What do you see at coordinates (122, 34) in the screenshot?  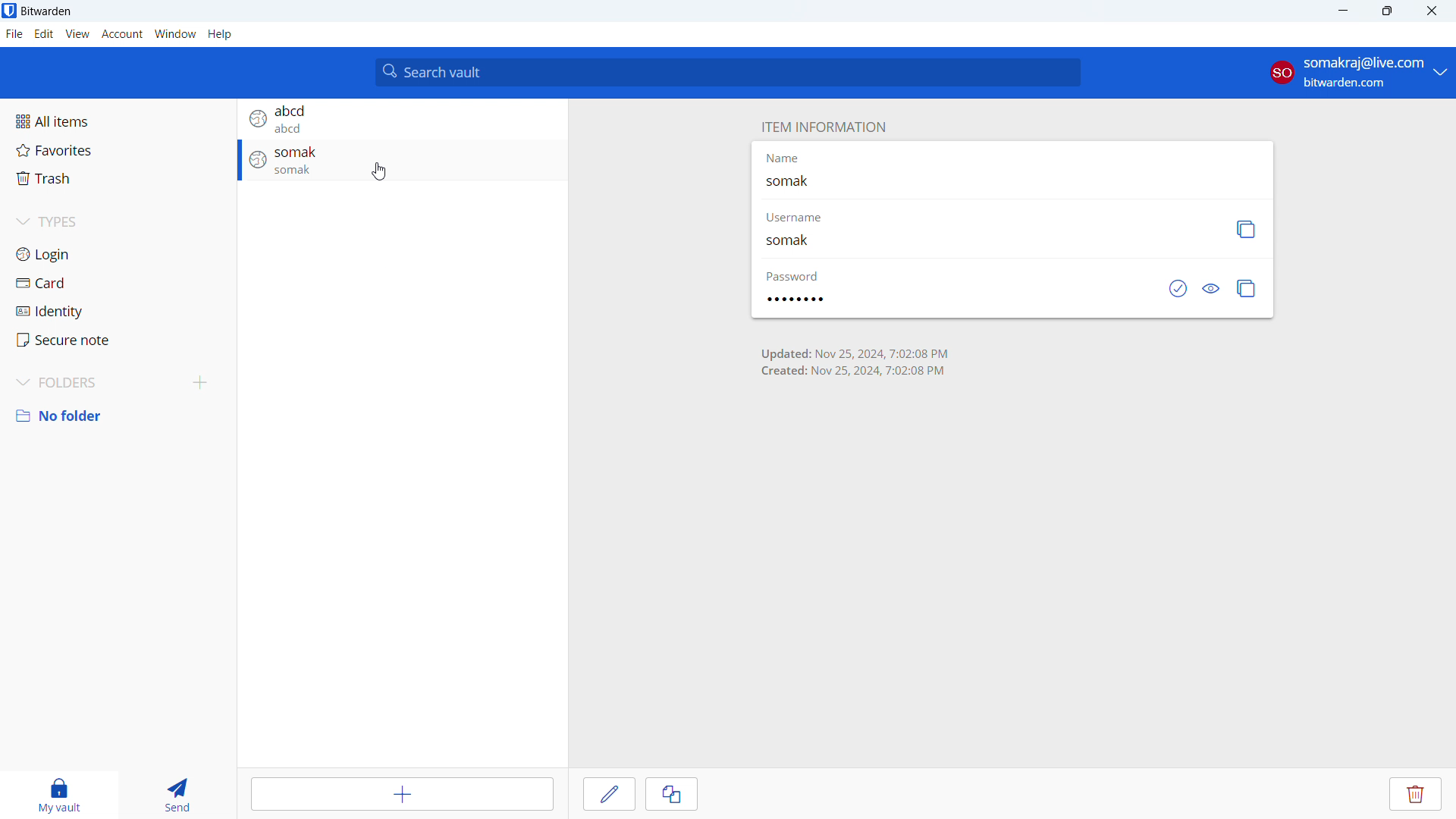 I see `account` at bounding box center [122, 34].